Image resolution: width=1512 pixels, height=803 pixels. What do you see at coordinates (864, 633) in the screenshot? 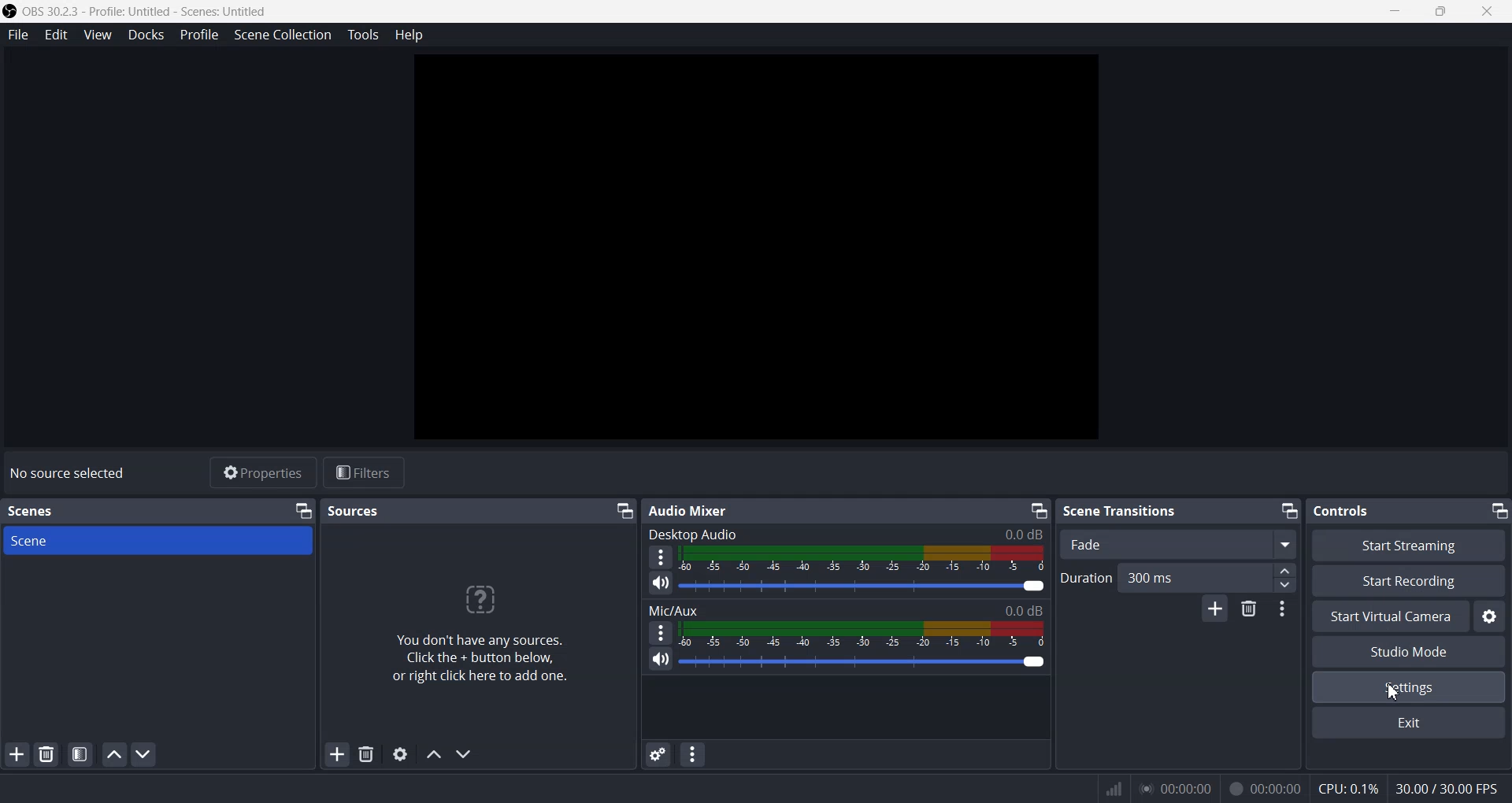
I see `Mic/Aux Indicator` at bounding box center [864, 633].